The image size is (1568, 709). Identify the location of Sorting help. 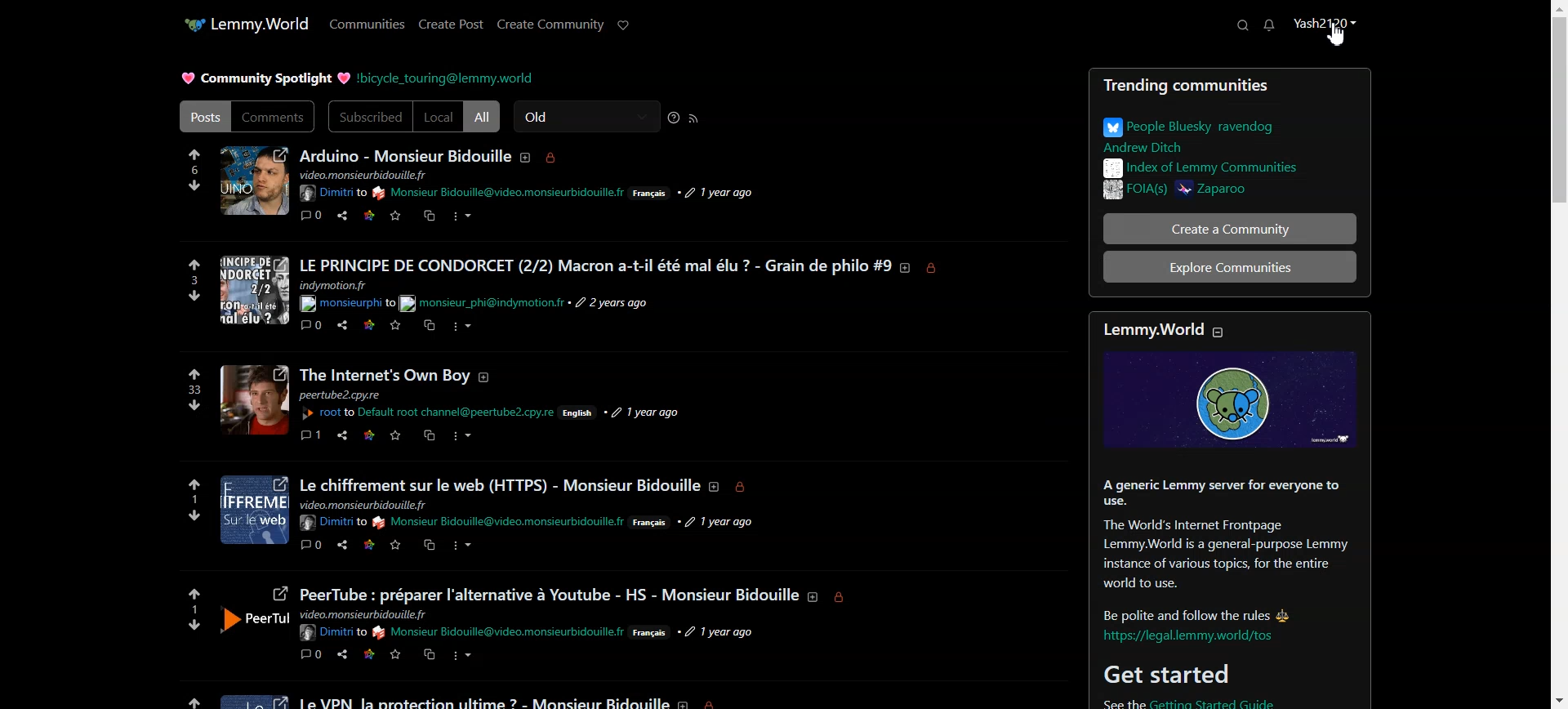
(675, 118).